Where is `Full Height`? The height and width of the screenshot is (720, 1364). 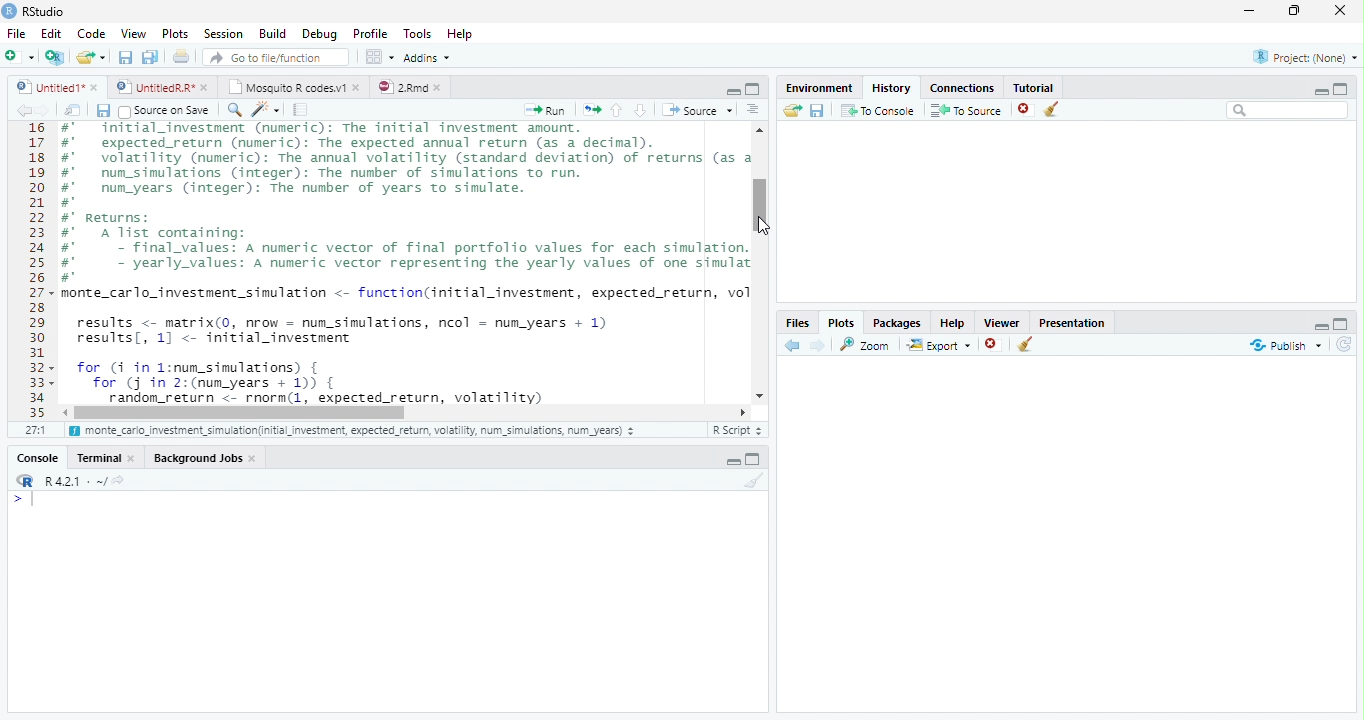
Full Height is located at coordinates (754, 88).